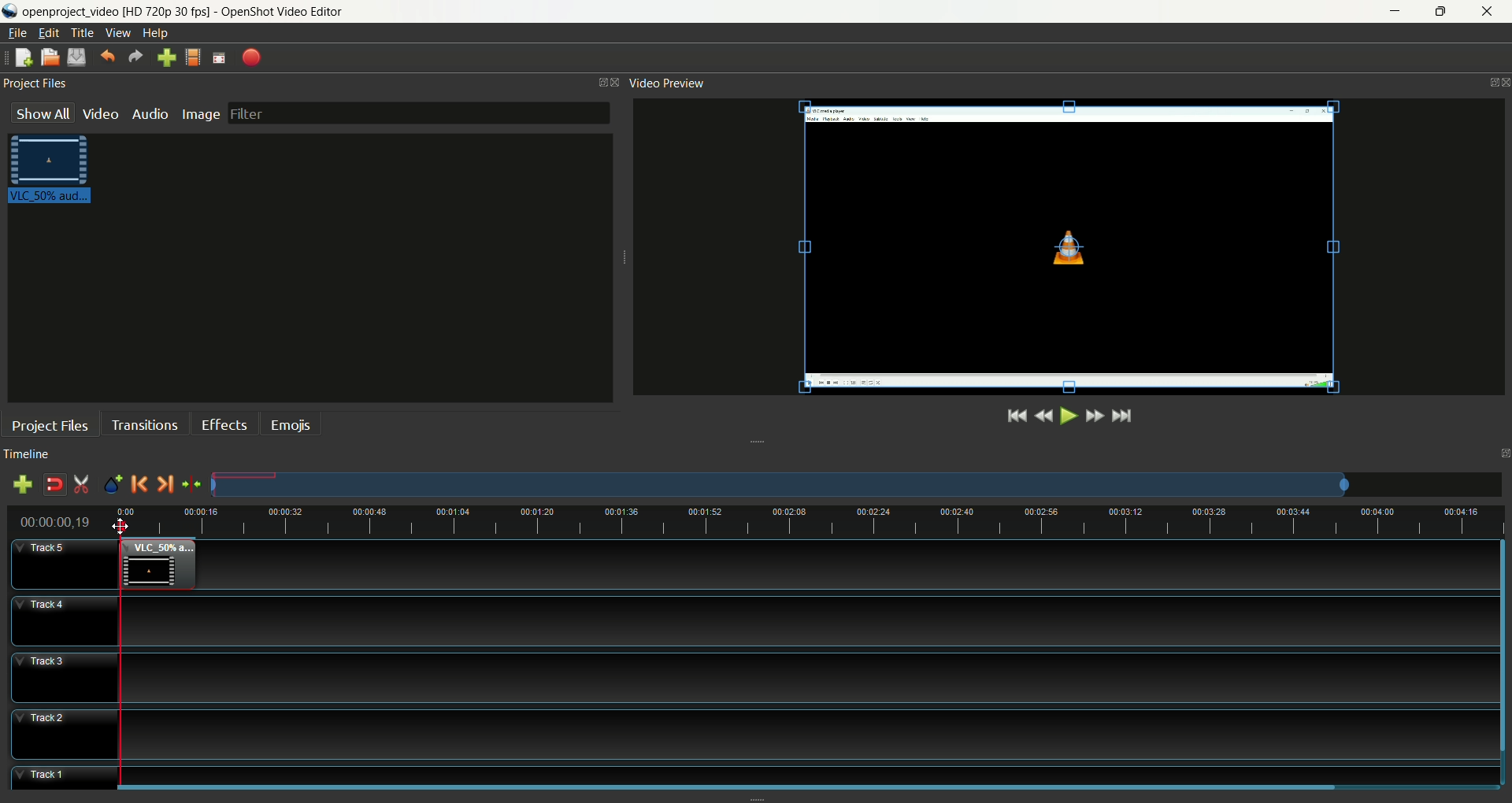 The image size is (1512, 803). Describe the element at coordinates (82, 485) in the screenshot. I see `enable razor` at that location.